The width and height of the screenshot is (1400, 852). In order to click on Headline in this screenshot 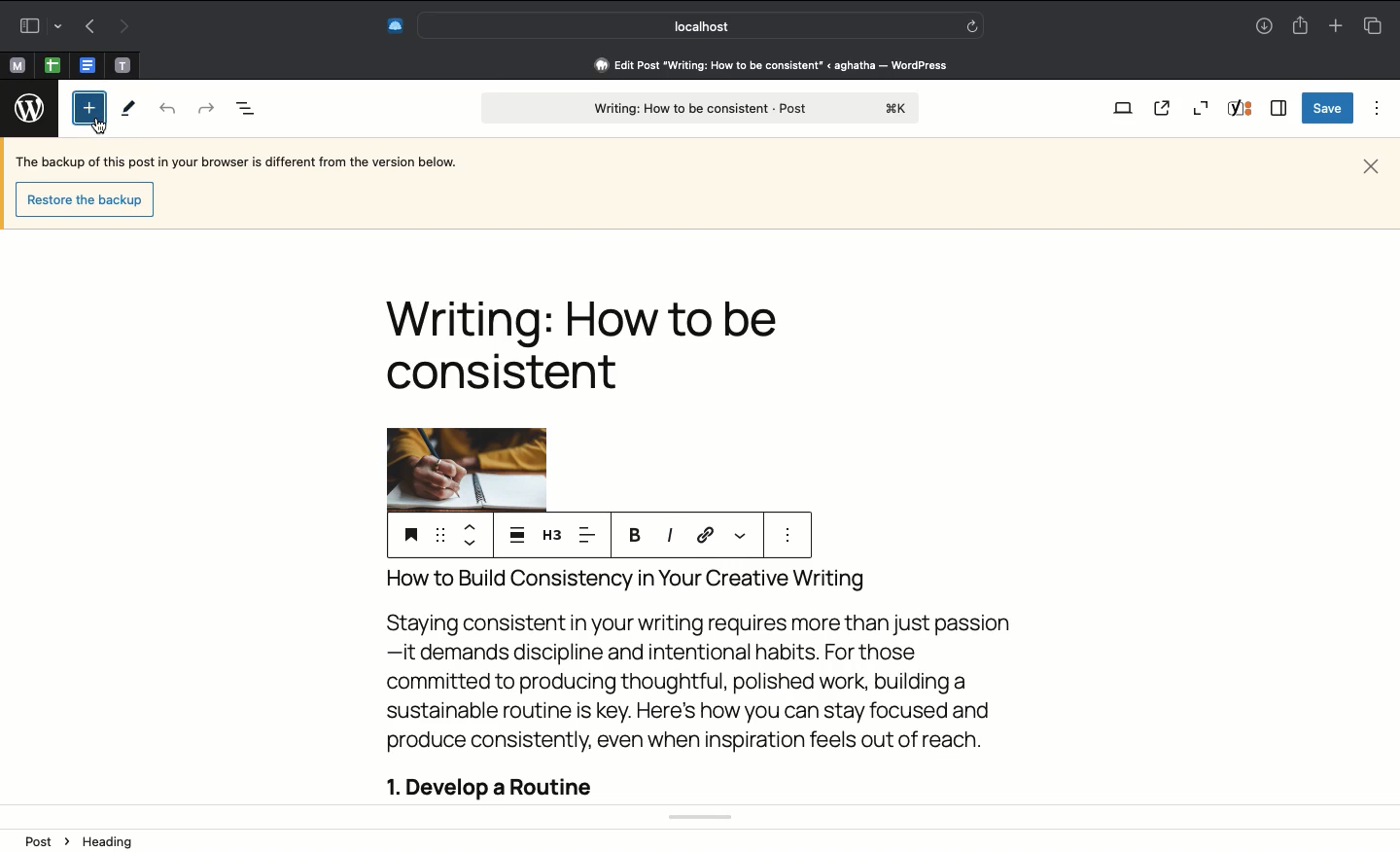, I will do `click(591, 349)`.